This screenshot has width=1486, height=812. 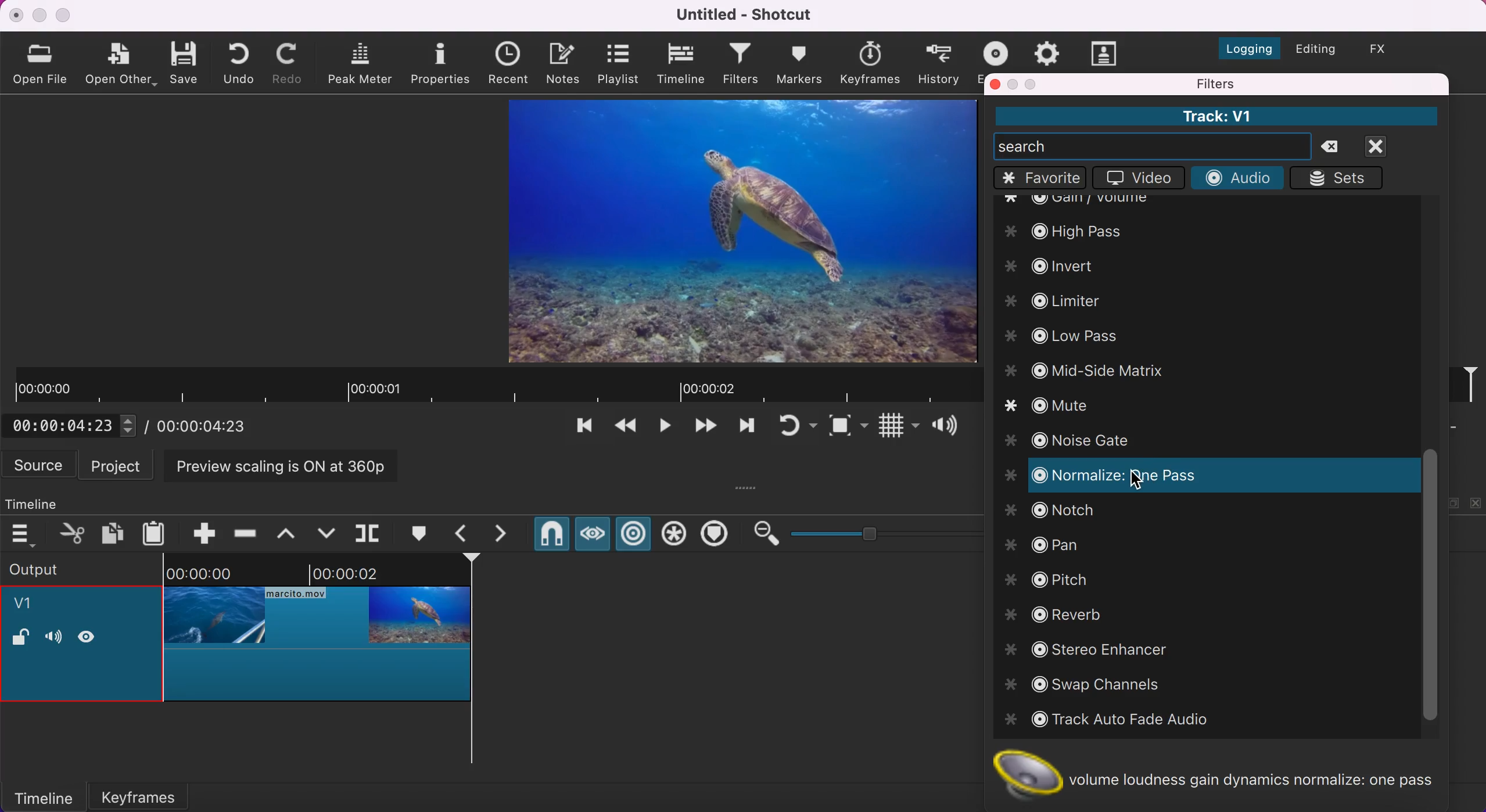 I want to click on project, so click(x=119, y=465).